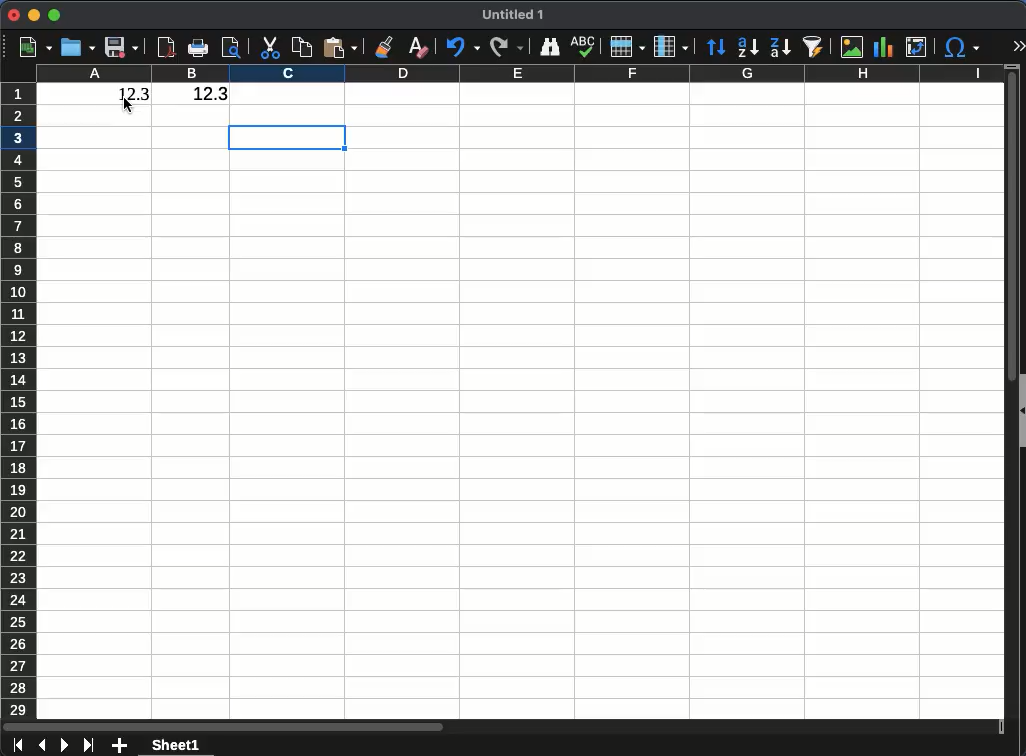 The width and height of the screenshot is (1026, 756). What do you see at coordinates (585, 47) in the screenshot?
I see `spellcheck` at bounding box center [585, 47].